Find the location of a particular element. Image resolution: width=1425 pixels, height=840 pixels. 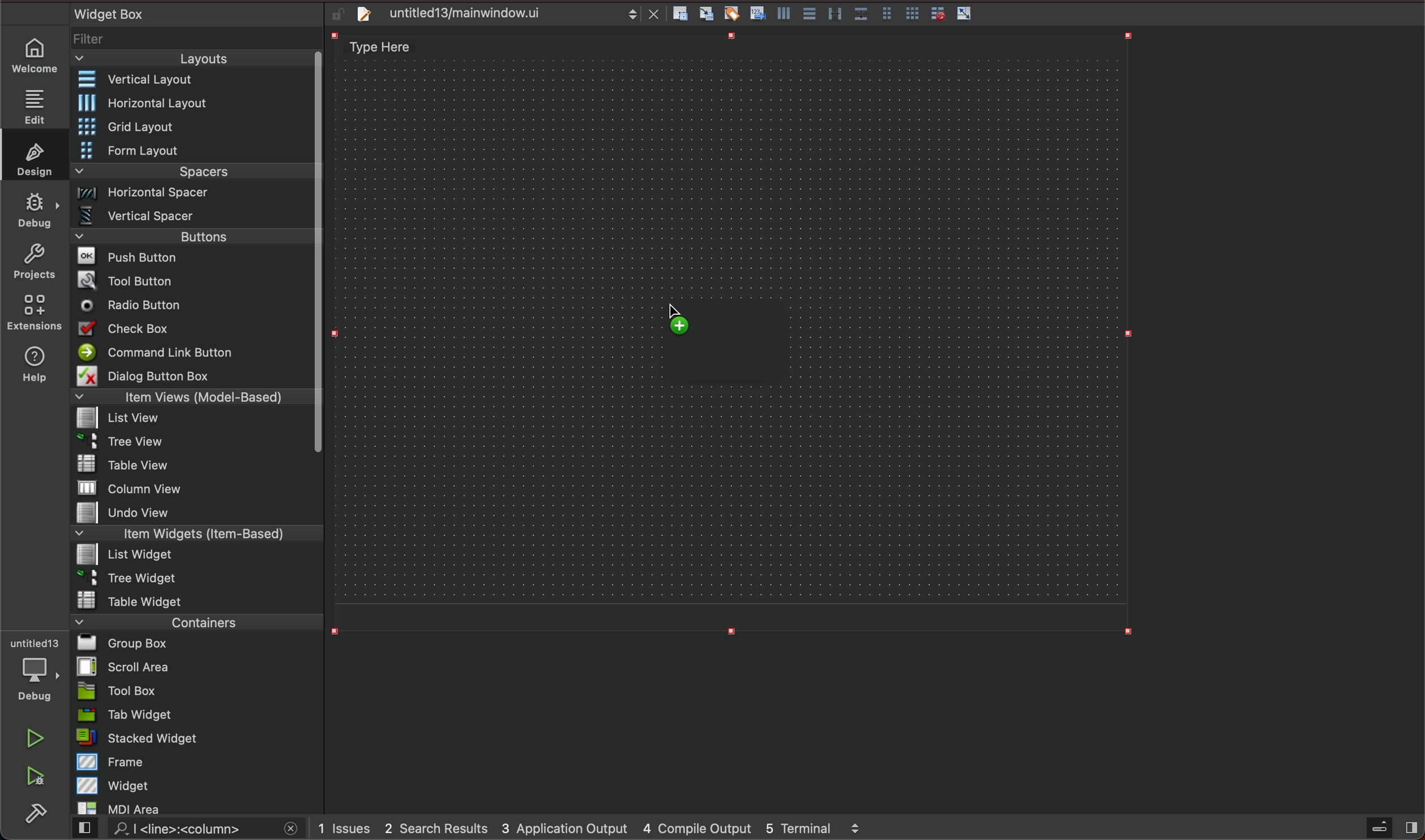

debug is located at coordinates (32, 671).